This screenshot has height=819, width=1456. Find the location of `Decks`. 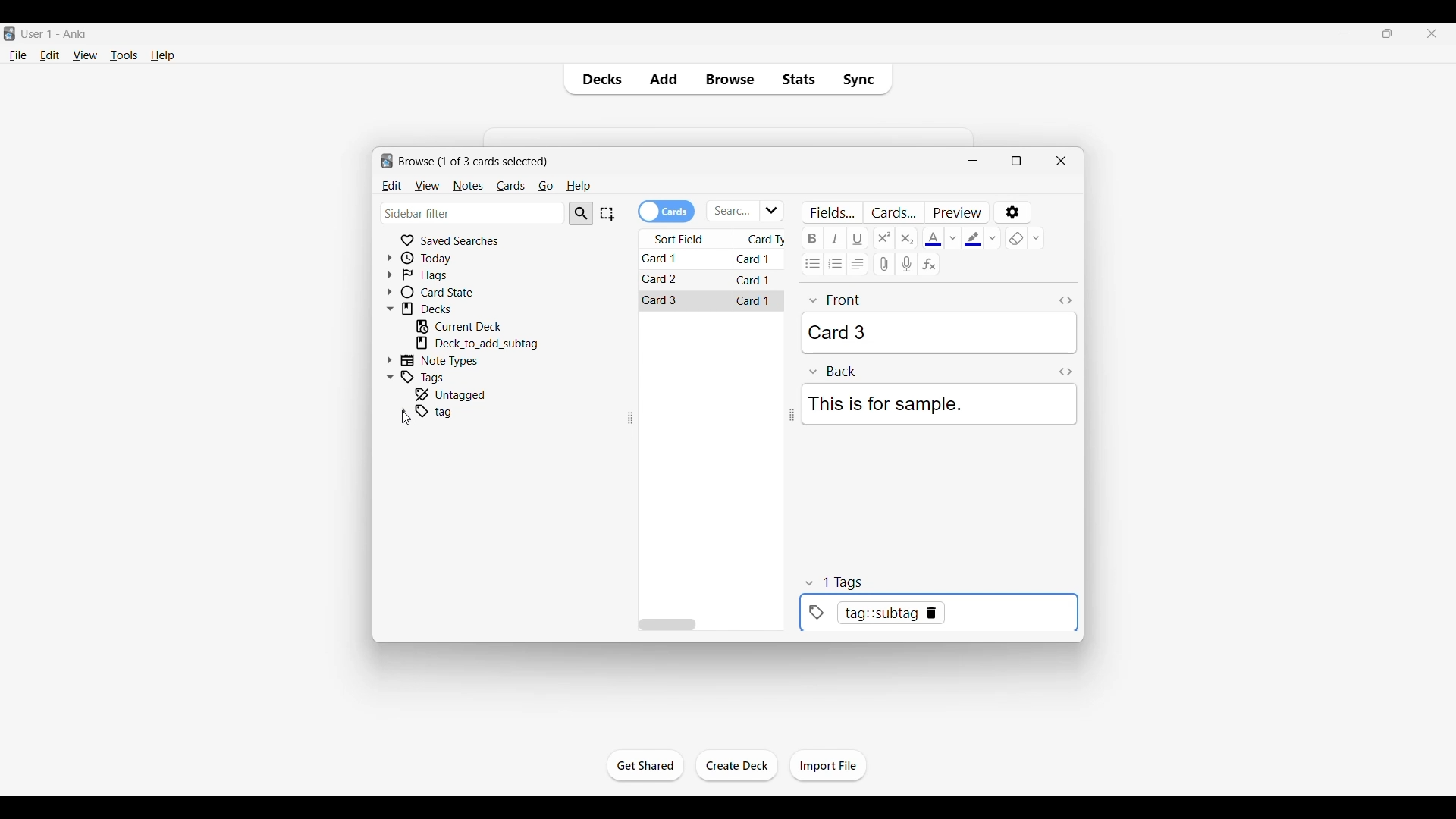

Decks is located at coordinates (598, 79).